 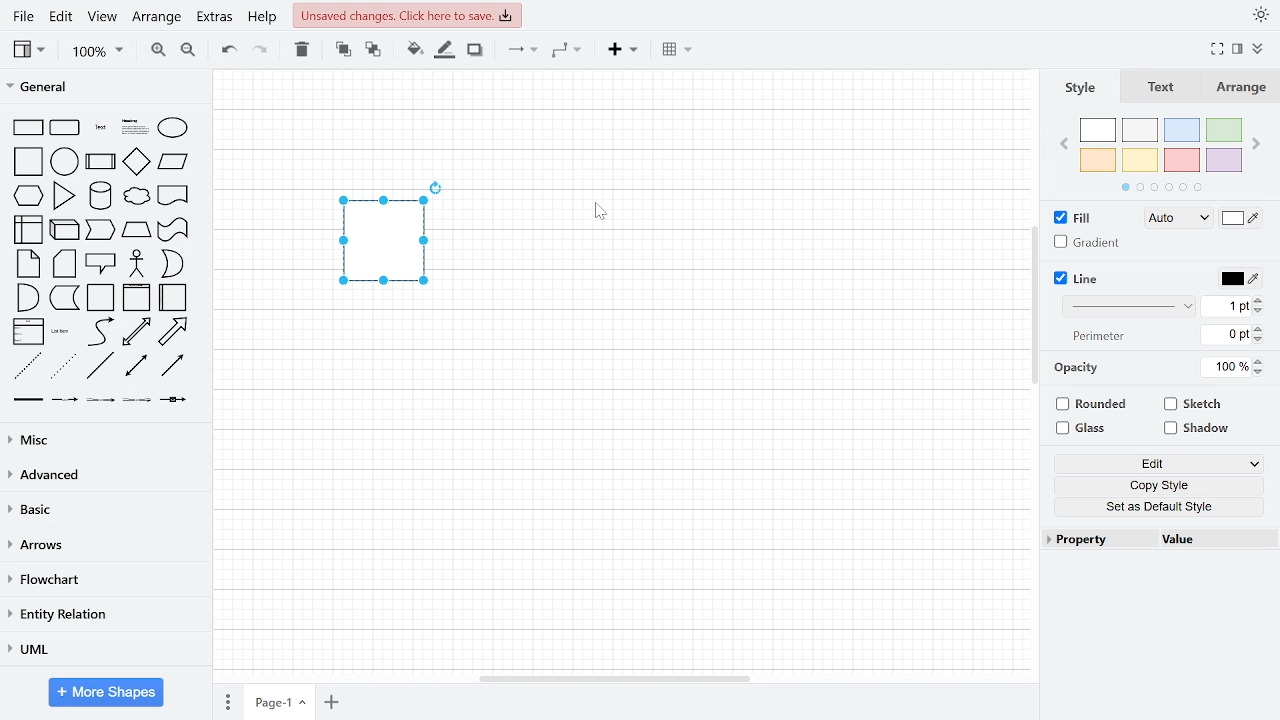 I want to click on current perimeter, so click(x=1225, y=333).